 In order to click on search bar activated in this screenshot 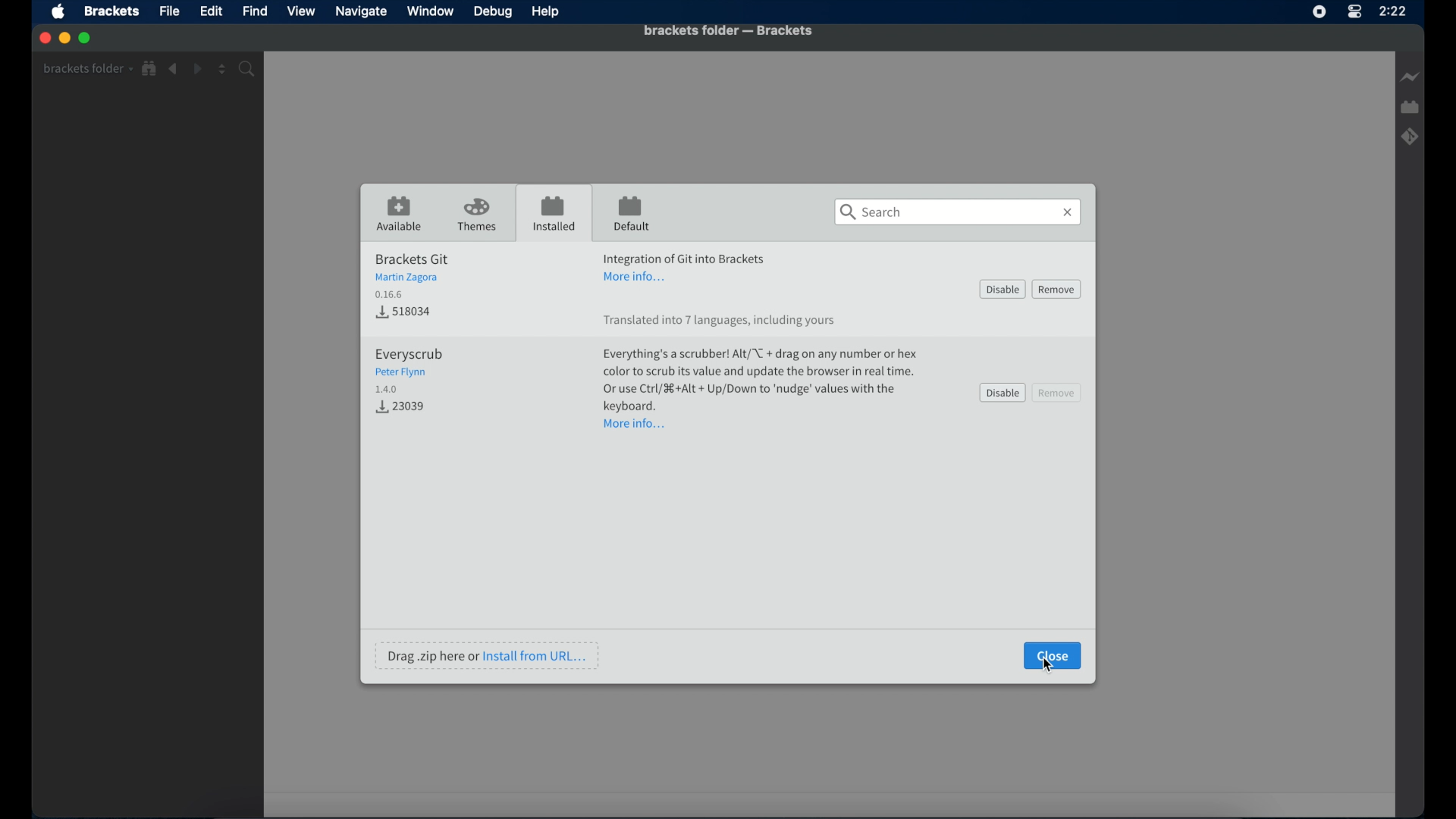, I will do `click(958, 212)`.